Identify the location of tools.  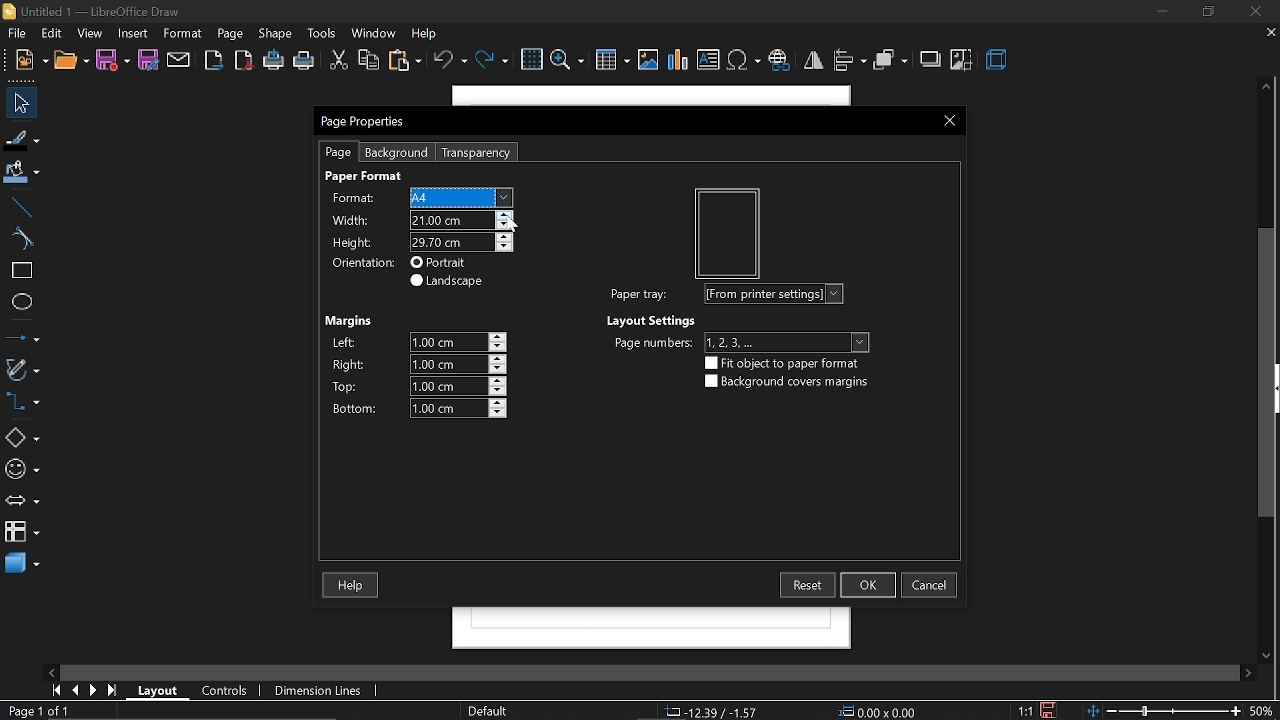
(321, 33).